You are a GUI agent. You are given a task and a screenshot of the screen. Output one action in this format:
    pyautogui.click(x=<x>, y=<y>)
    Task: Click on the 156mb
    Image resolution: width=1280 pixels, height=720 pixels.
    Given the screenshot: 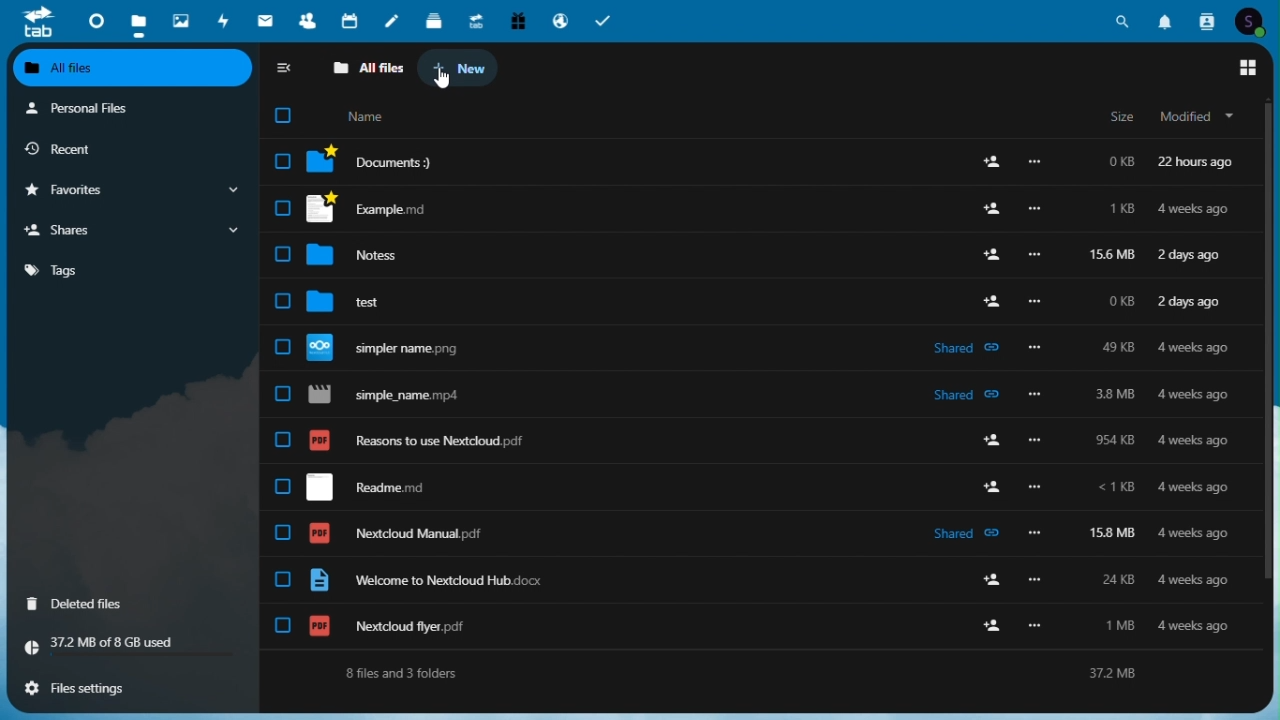 What is the action you would take?
    pyautogui.click(x=1115, y=255)
    